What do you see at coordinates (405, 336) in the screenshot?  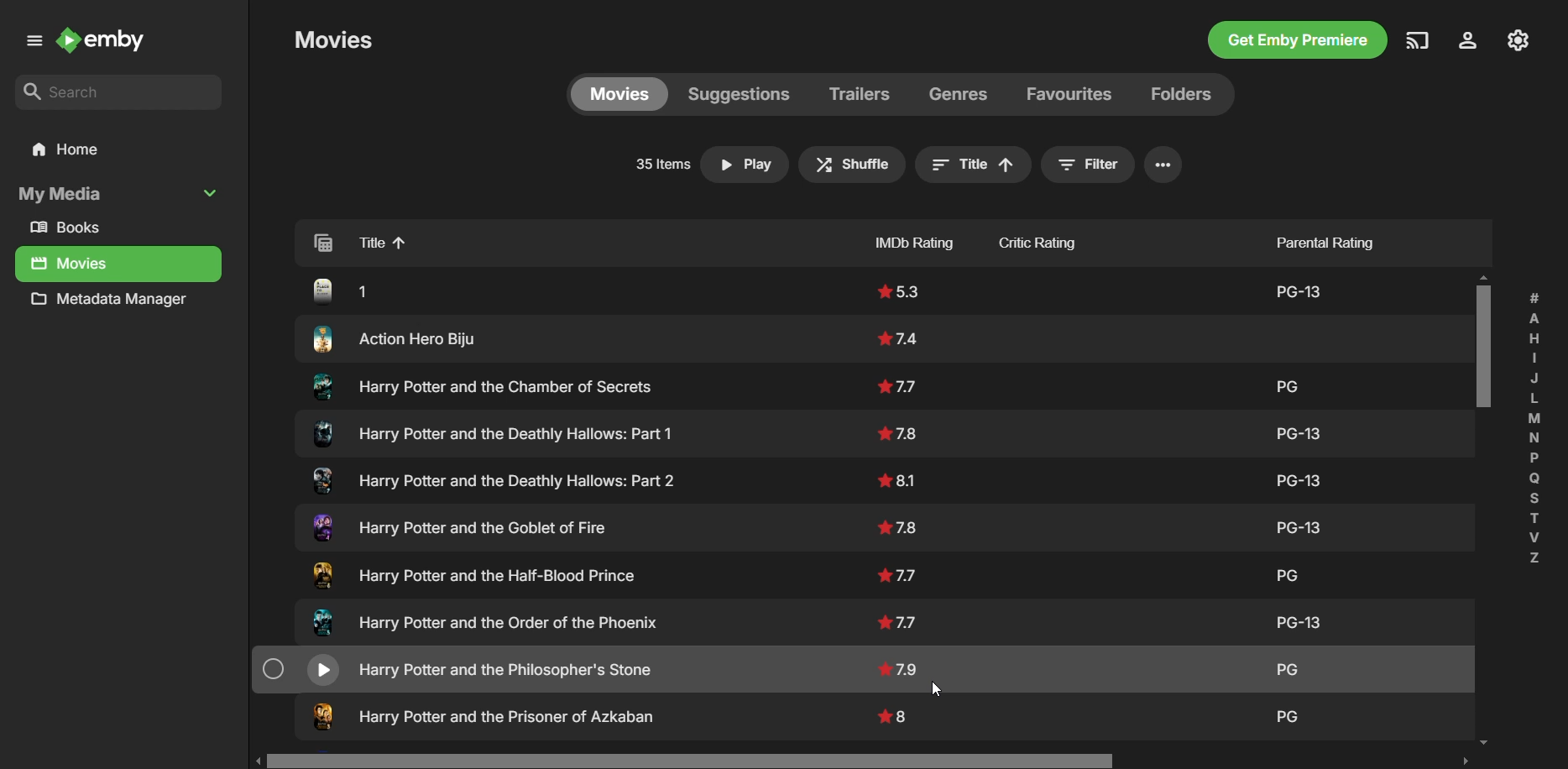 I see `` at bounding box center [405, 336].